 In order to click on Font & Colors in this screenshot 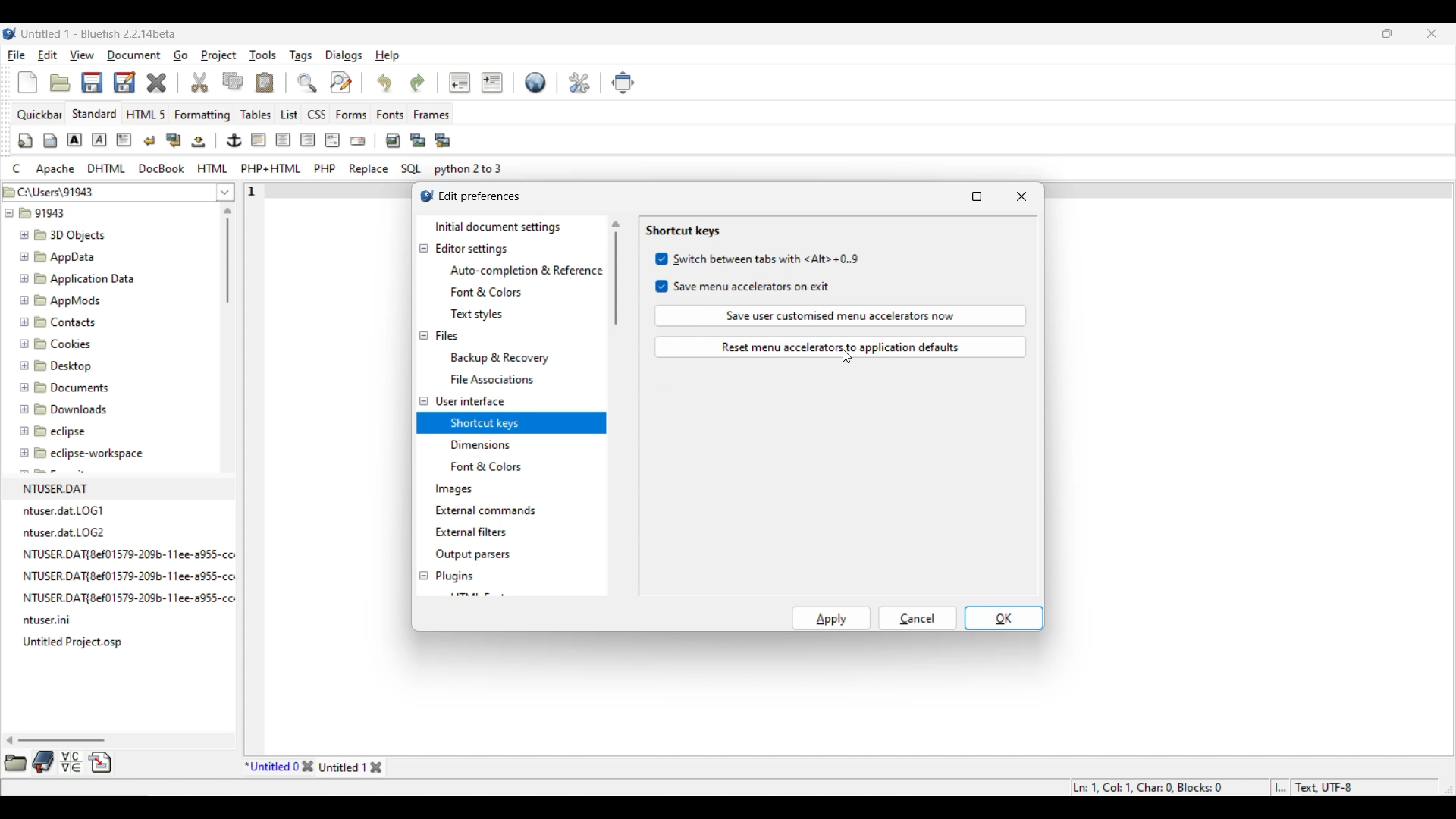, I will do `click(487, 293)`.